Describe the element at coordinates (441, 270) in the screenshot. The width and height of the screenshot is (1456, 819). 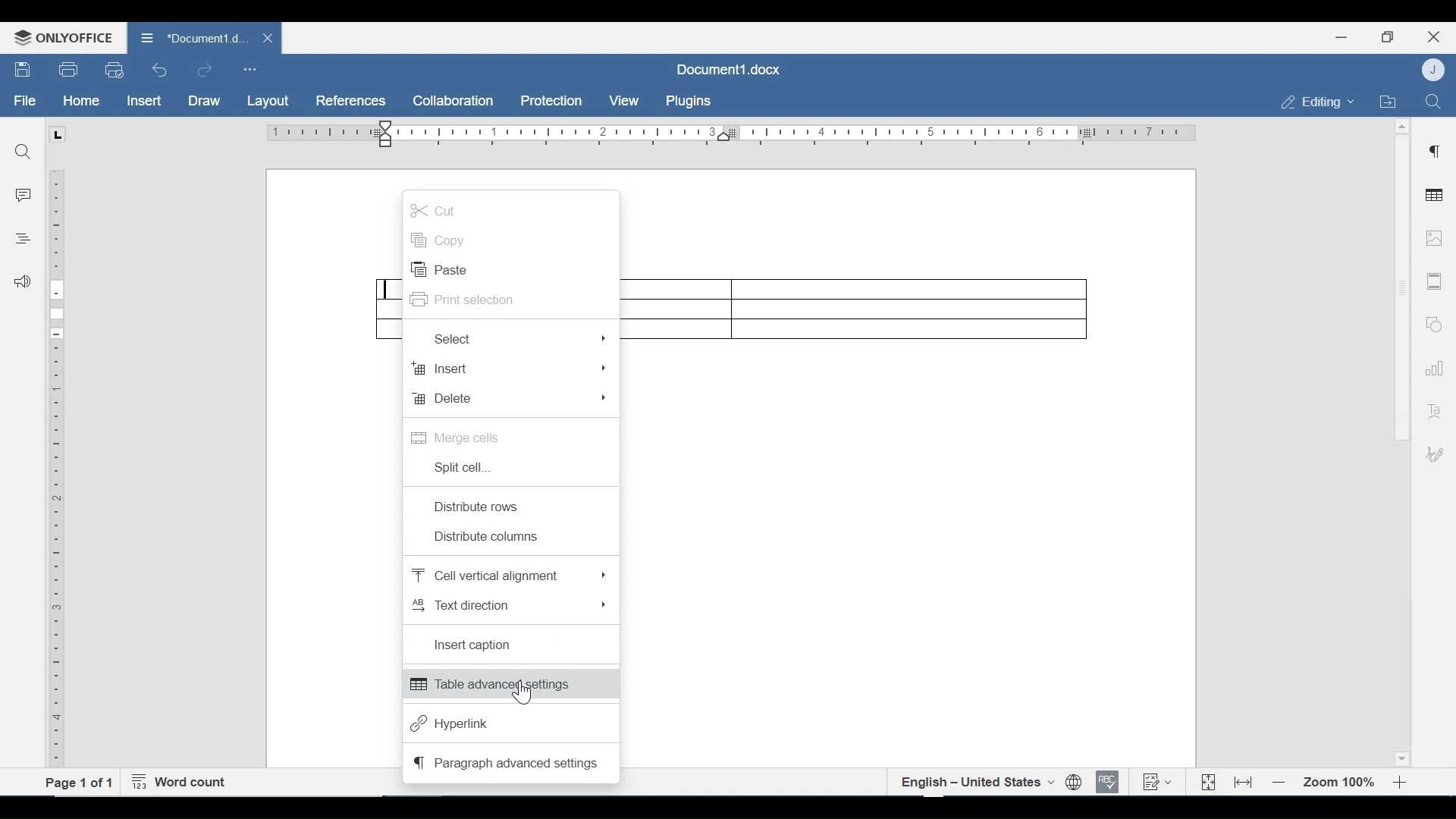
I see `Paste` at that location.